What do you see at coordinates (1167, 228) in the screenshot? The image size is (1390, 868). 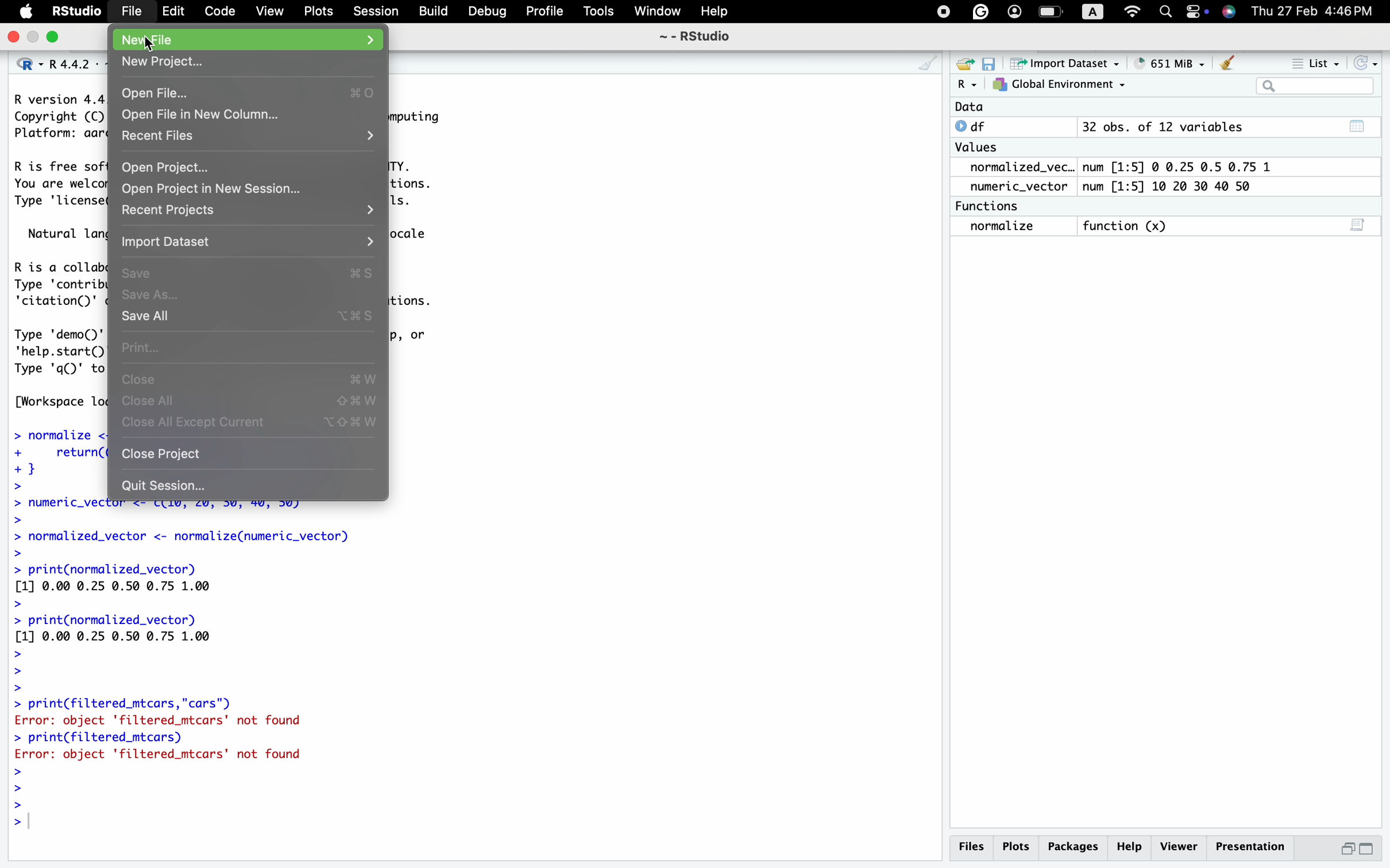 I see `normalize function (x) 3` at bounding box center [1167, 228].